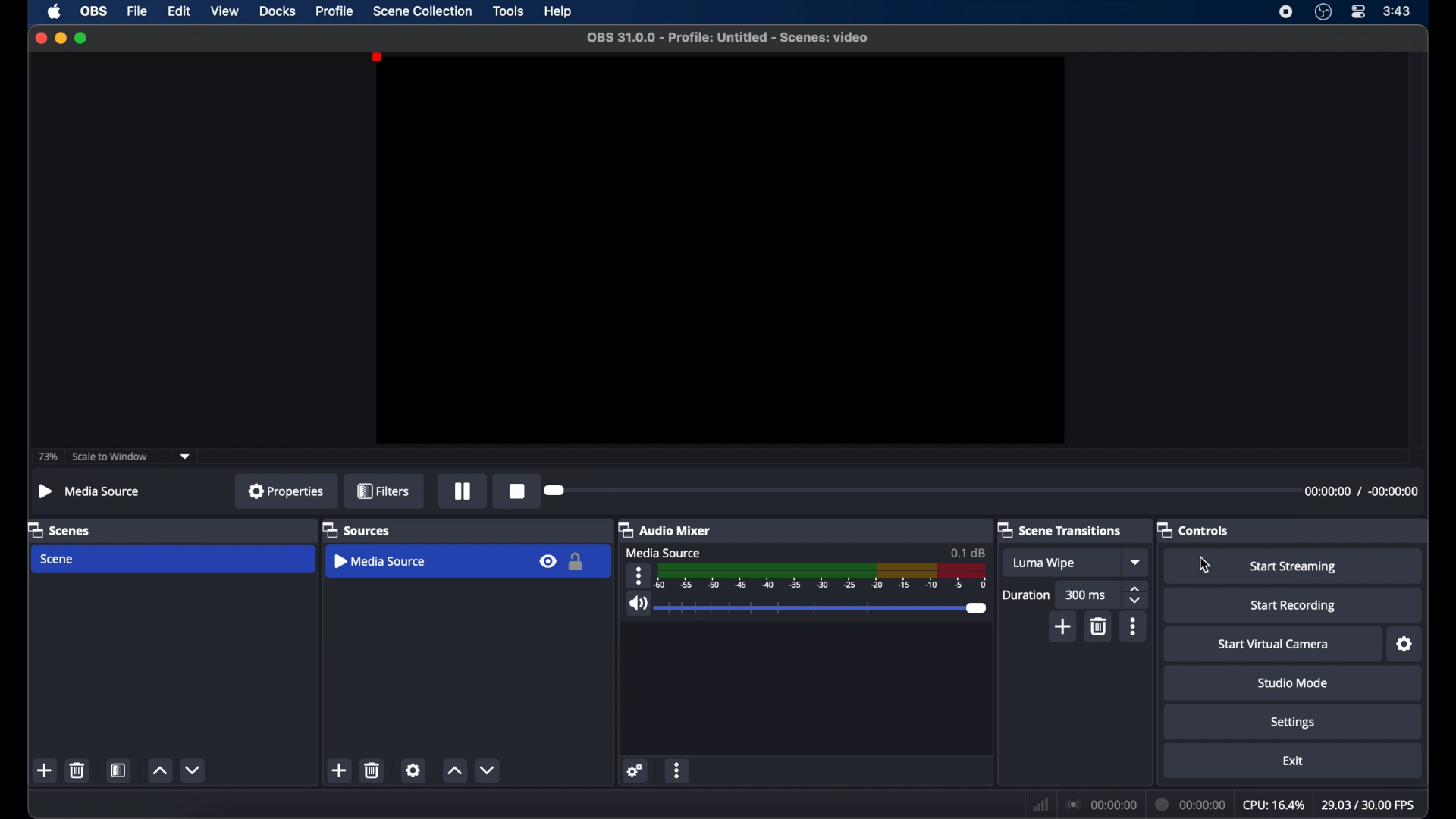 This screenshot has width=1456, height=819. Describe the element at coordinates (45, 770) in the screenshot. I see `add` at that location.